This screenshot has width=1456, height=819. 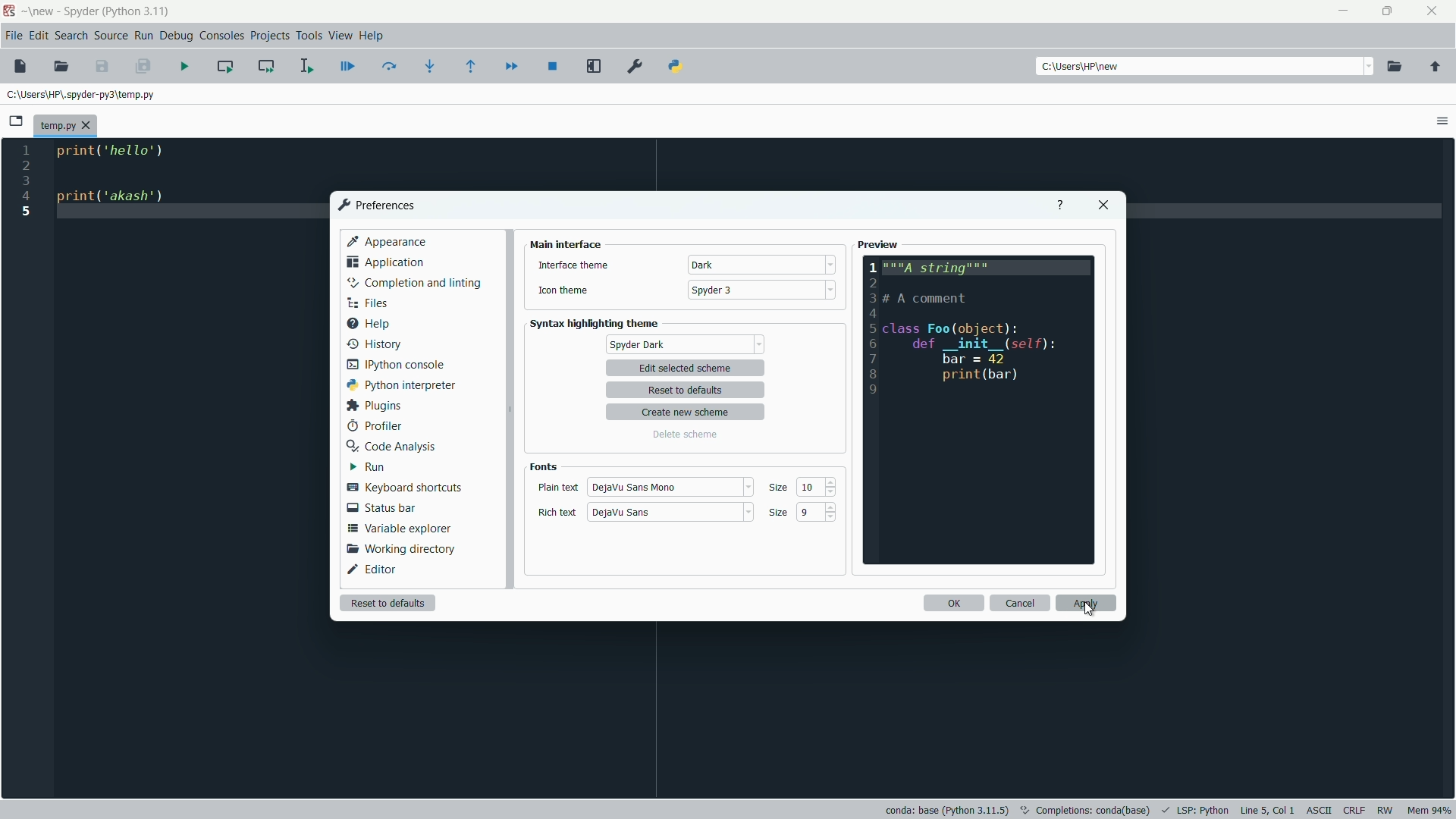 What do you see at coordinates (1267, 810) in the screenshot?
I see `cursor position` at bounding box center [1267, 810].